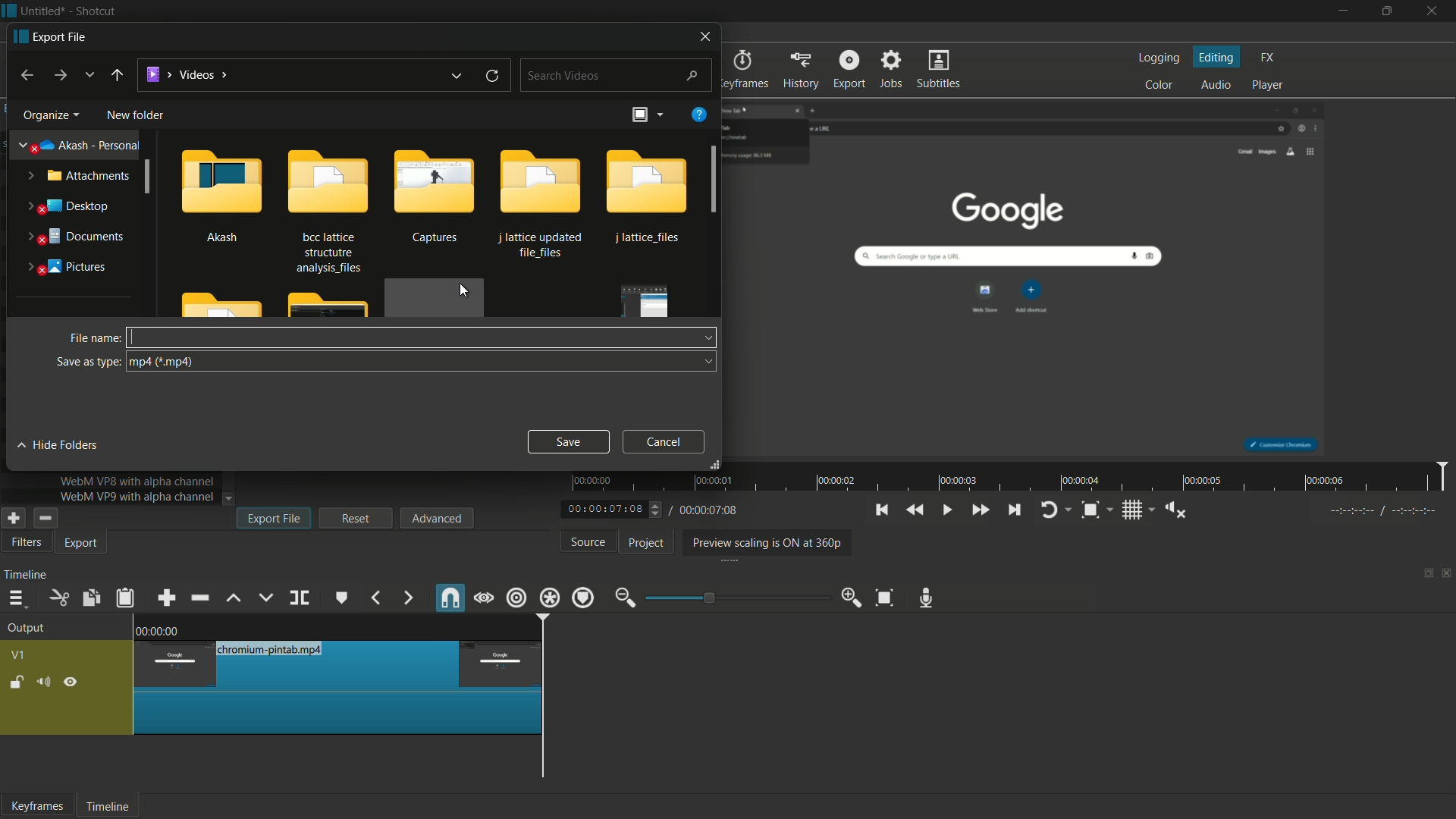 The image size is (1456, 819). Describe the element at coordinates (849, 68) in the screenshot. I see `export` at that location.